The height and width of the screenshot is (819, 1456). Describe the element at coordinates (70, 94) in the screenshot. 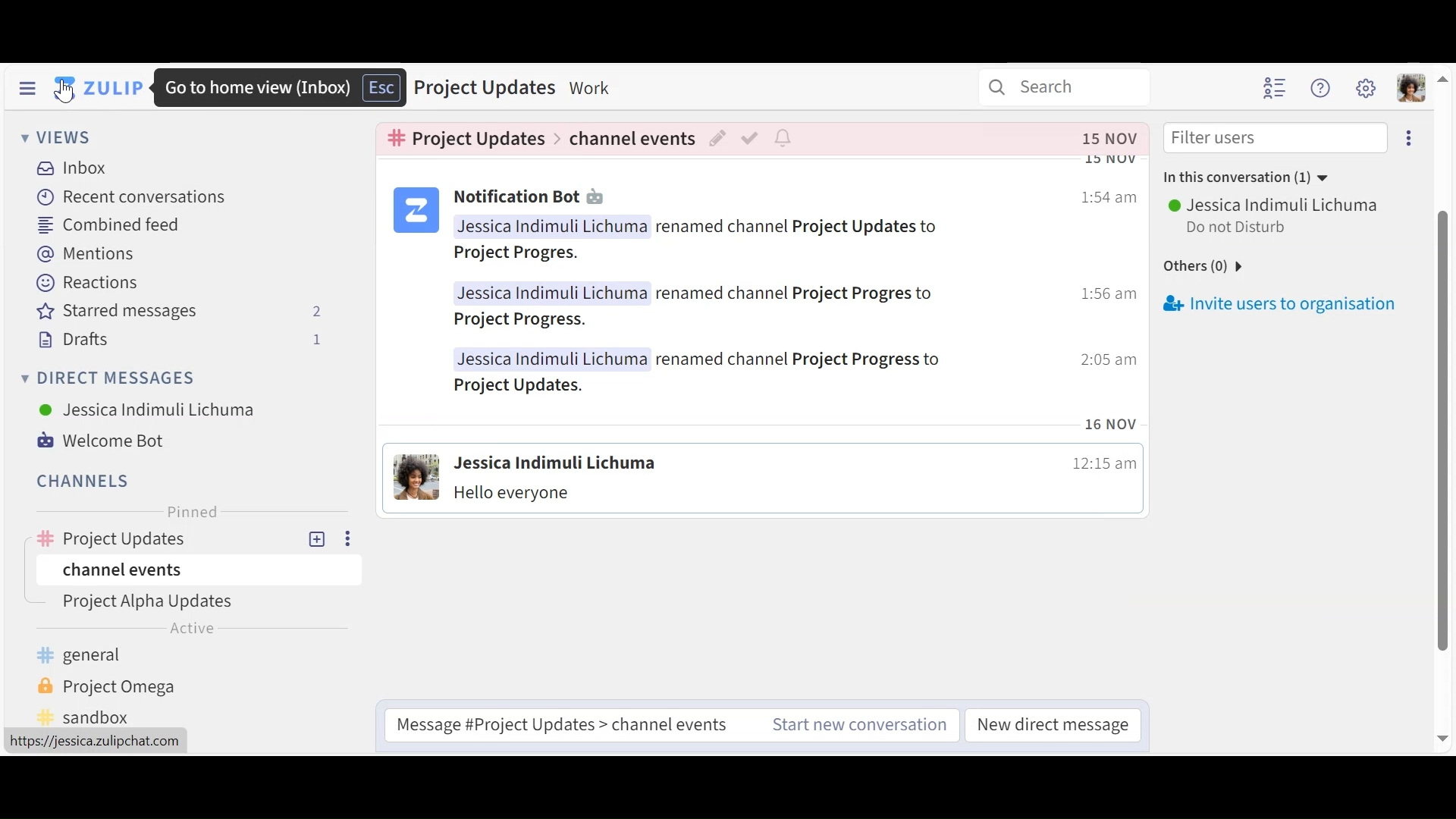

I see `Cursor` at that location.